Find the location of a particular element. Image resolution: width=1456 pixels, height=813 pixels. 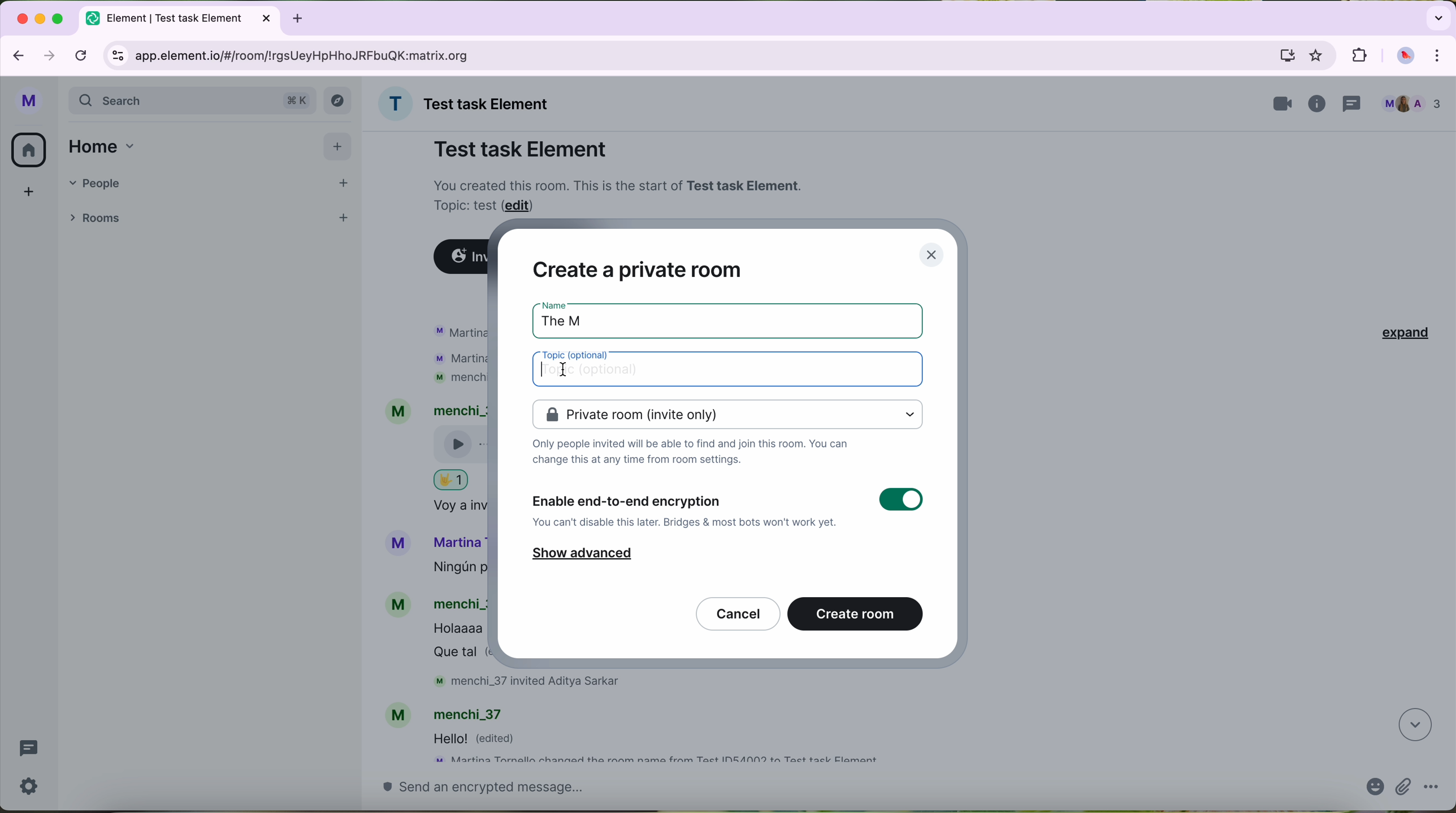

cancel button is located at coordinates (738, 613).